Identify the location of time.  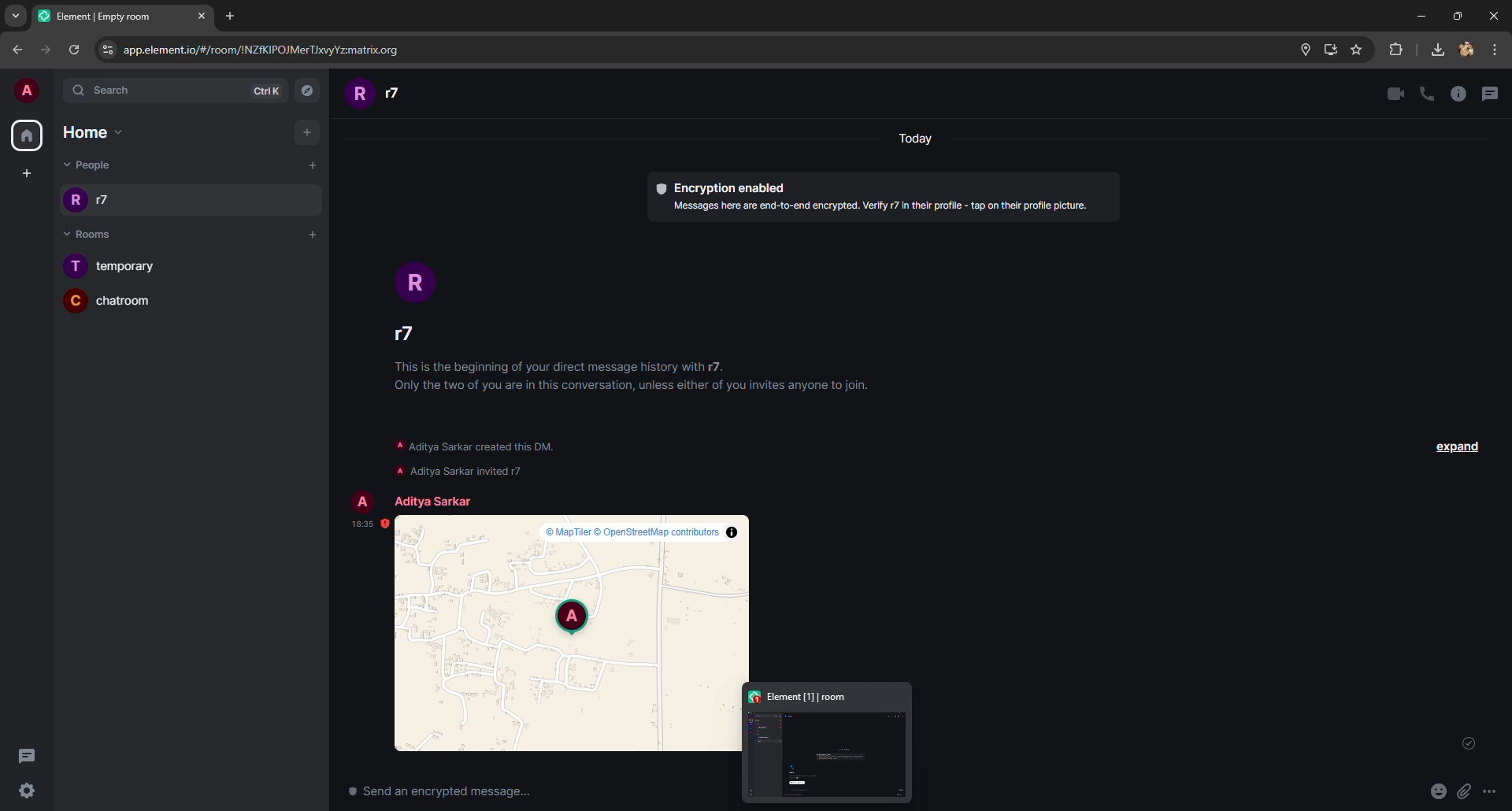
(358, 523).